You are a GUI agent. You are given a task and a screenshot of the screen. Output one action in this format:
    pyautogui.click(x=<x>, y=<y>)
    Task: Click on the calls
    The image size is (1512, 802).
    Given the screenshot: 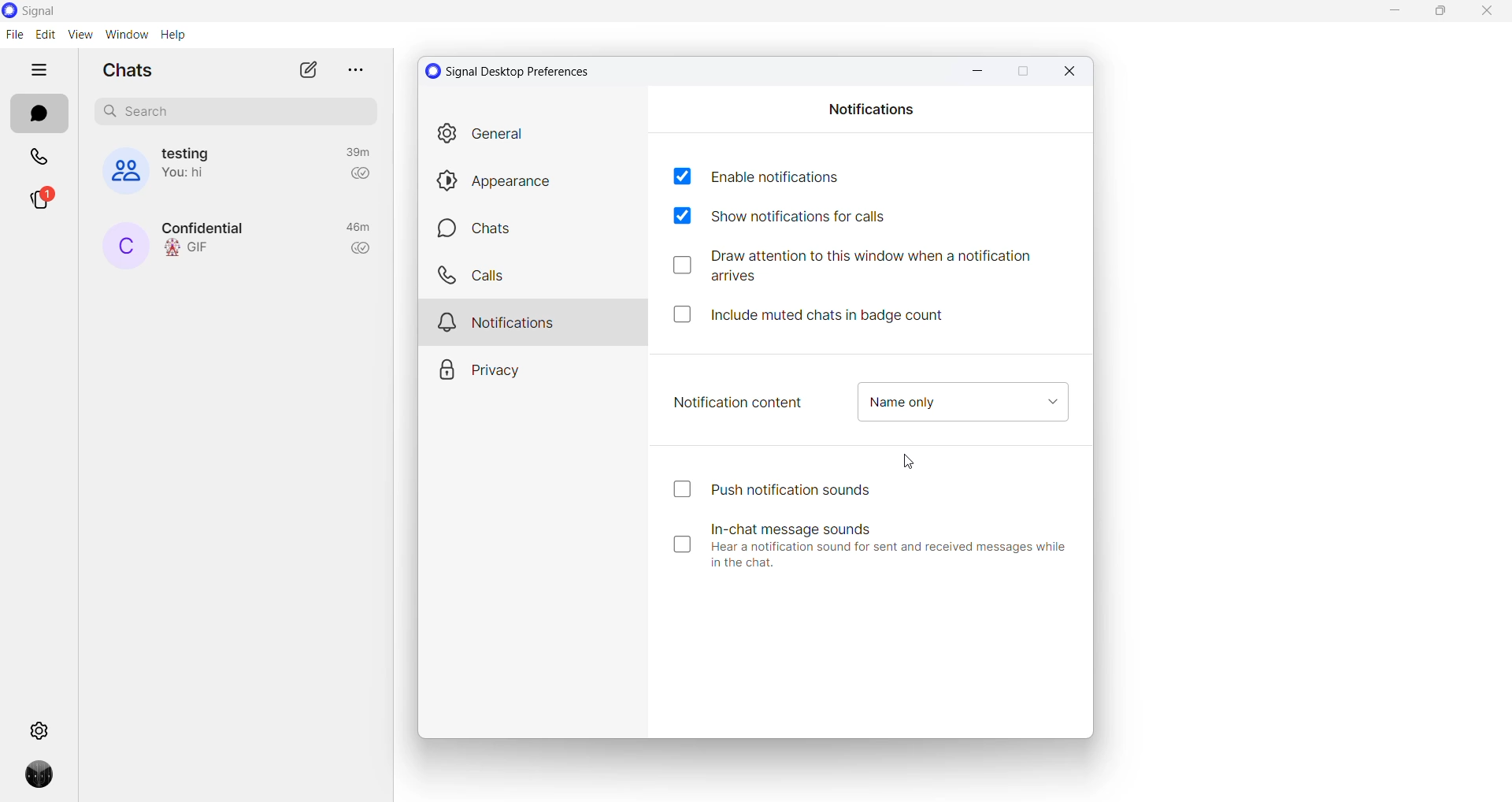 What is the action you would take?
    pyautogui.click(x=39, y=158)
    